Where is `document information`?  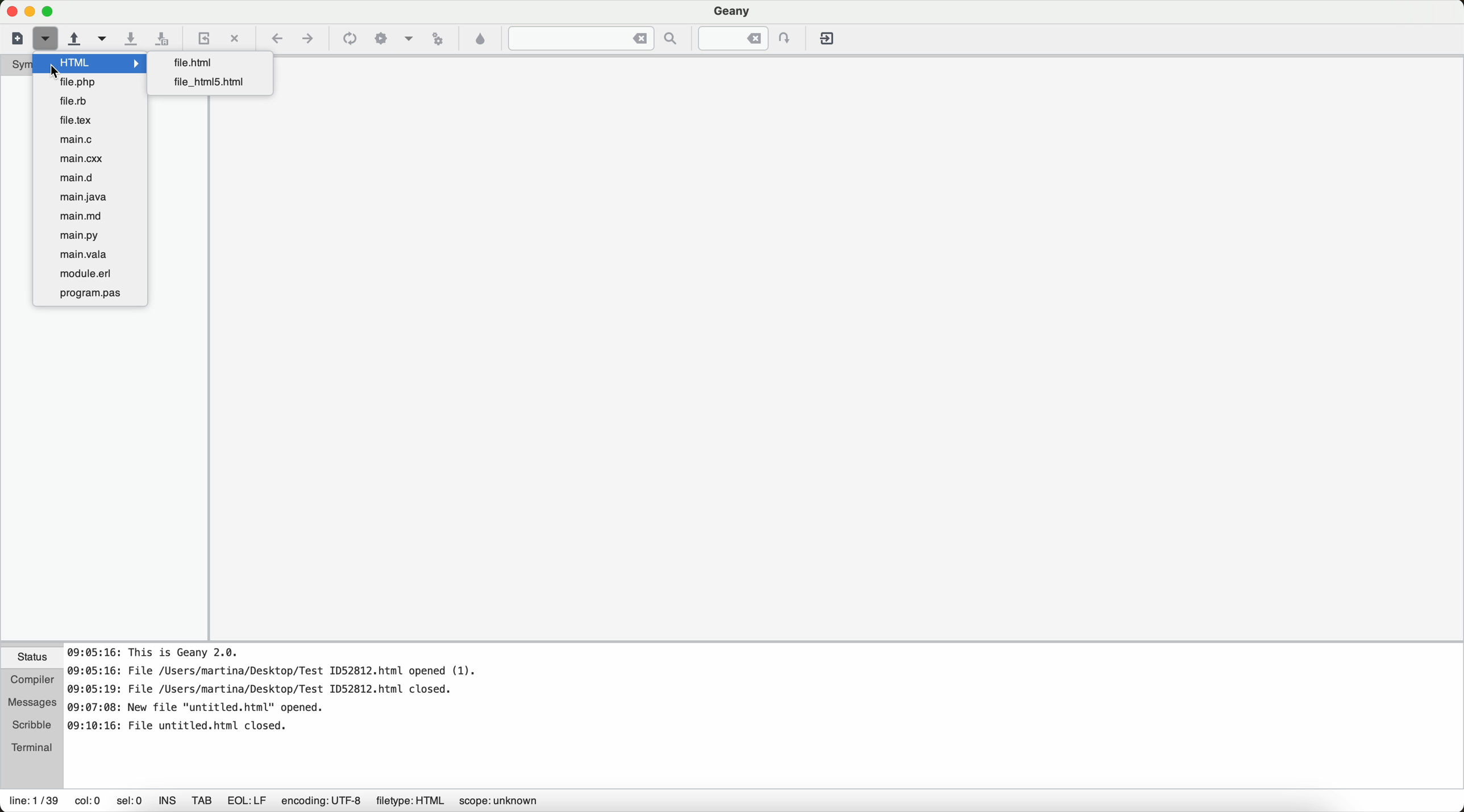
document information is located at coordinates (762, 715).